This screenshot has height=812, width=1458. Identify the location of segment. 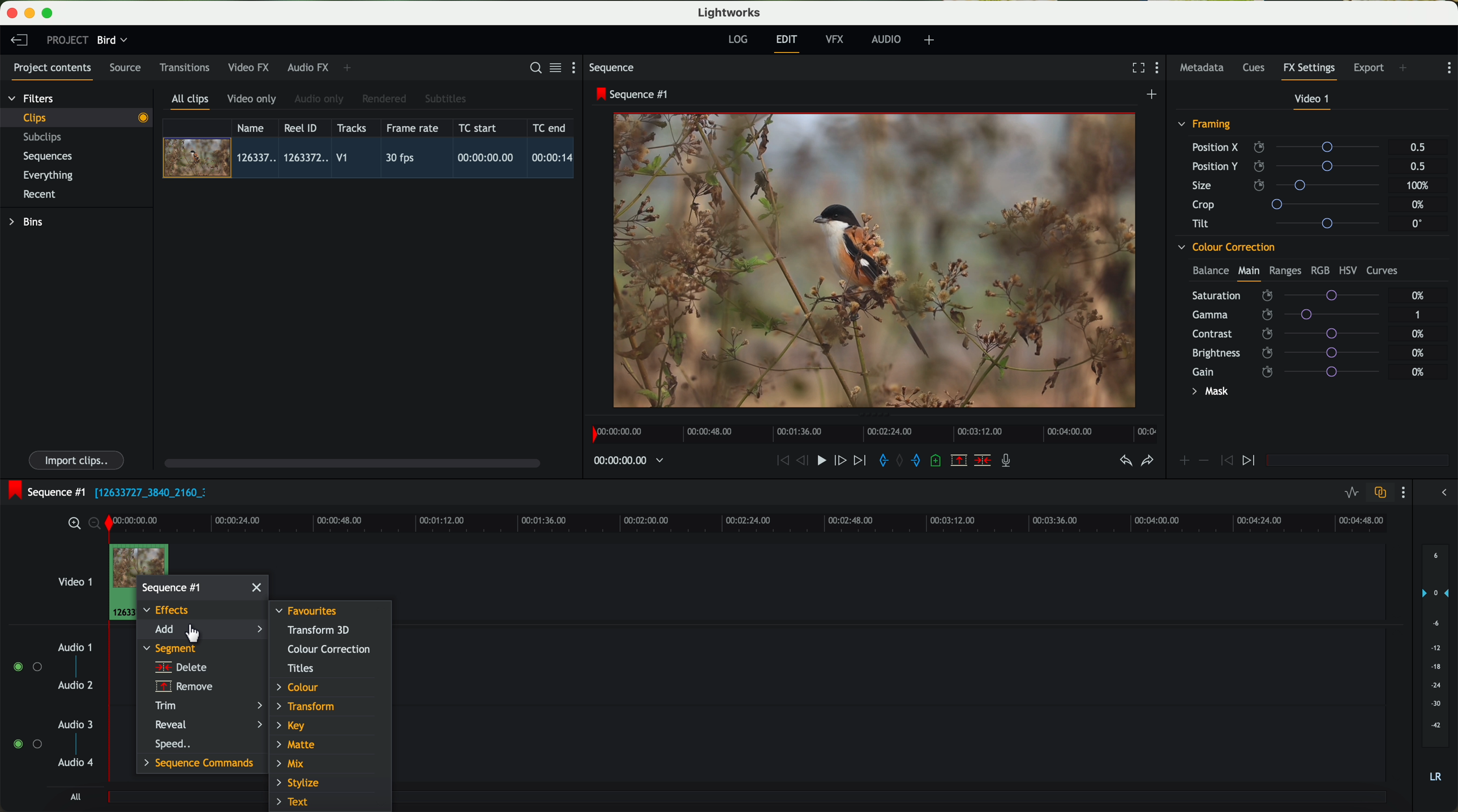
(170, 649).